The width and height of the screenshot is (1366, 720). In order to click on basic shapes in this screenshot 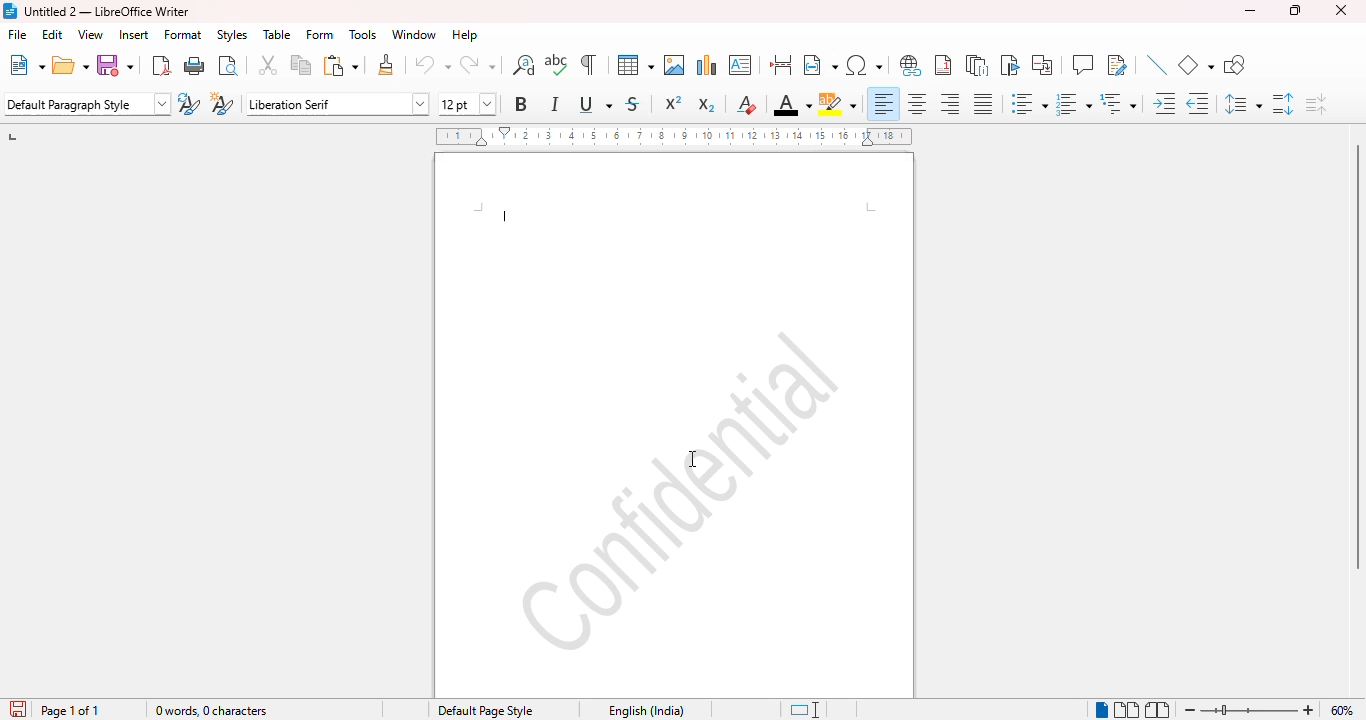, I will do `click(1195, 65)`.